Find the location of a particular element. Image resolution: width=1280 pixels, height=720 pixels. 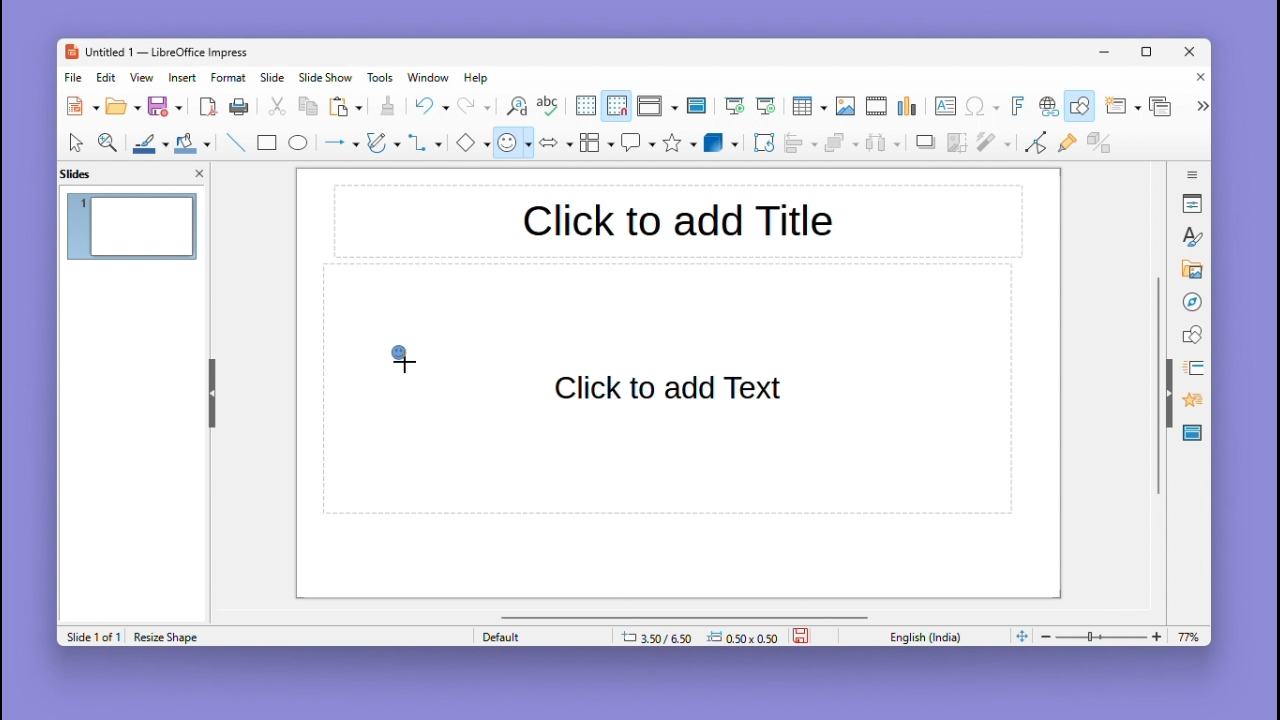

Draw function is located at coordinates (1082, 106).